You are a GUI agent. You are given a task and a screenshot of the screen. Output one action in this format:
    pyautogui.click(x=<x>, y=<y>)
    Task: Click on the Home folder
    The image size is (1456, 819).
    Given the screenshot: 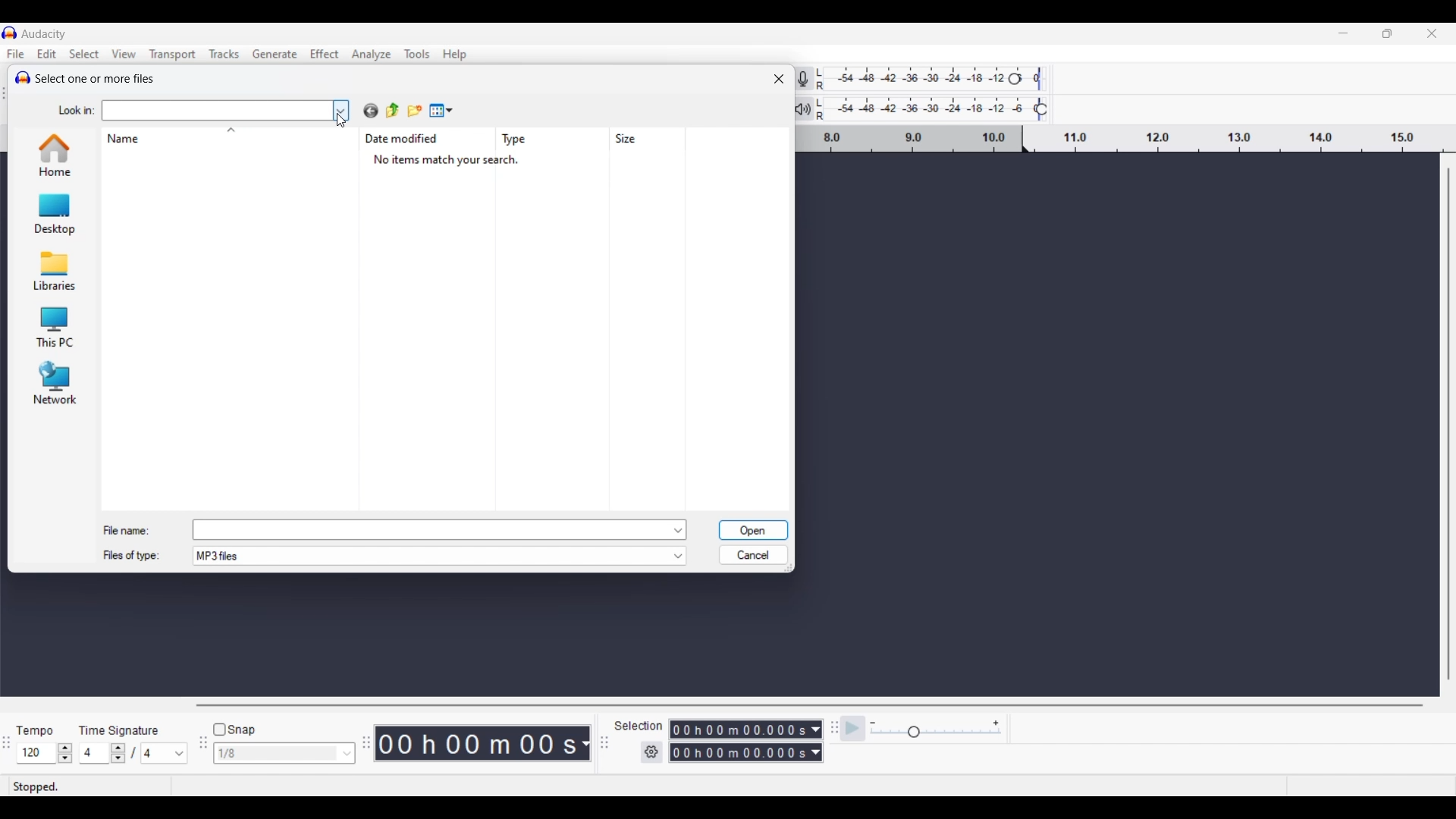 What is the action you would take?
    pyautogui.click(x=53, y=155)
    